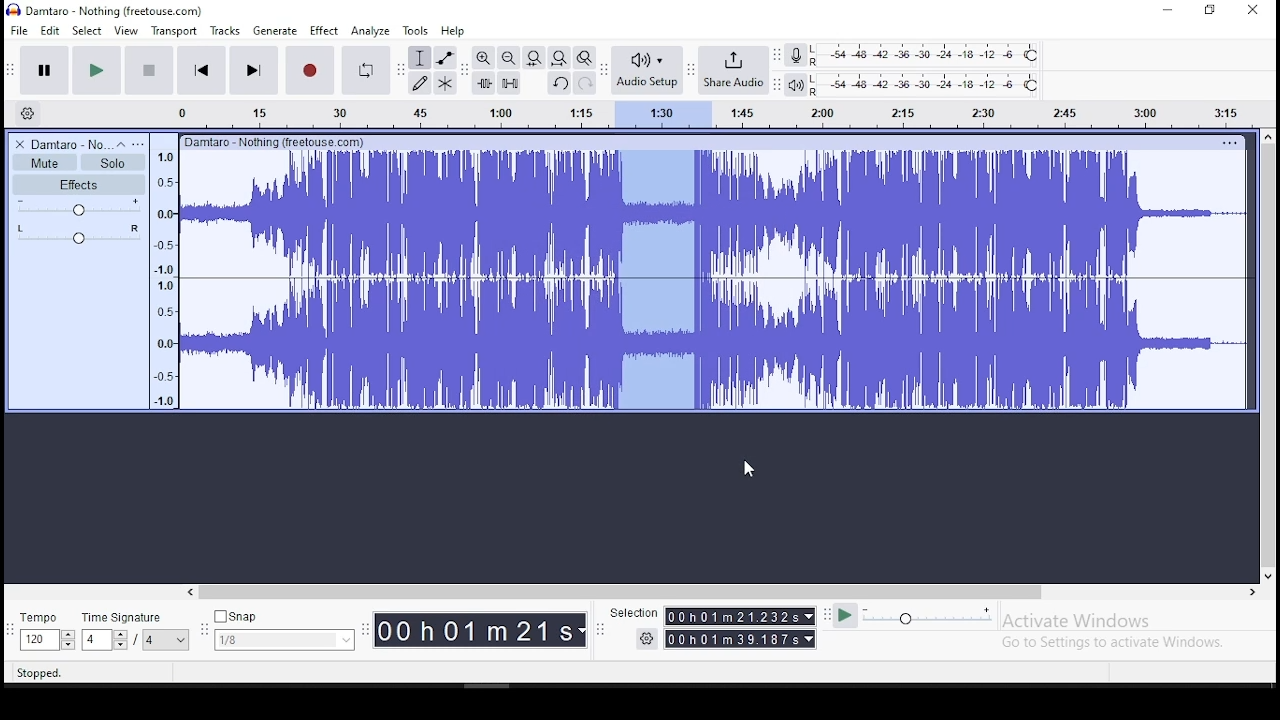 This screenshot has width=1280, height=720. Describe the element at coordinates (1074, 621) in the screenshot. I see `Activate windows` at that location.